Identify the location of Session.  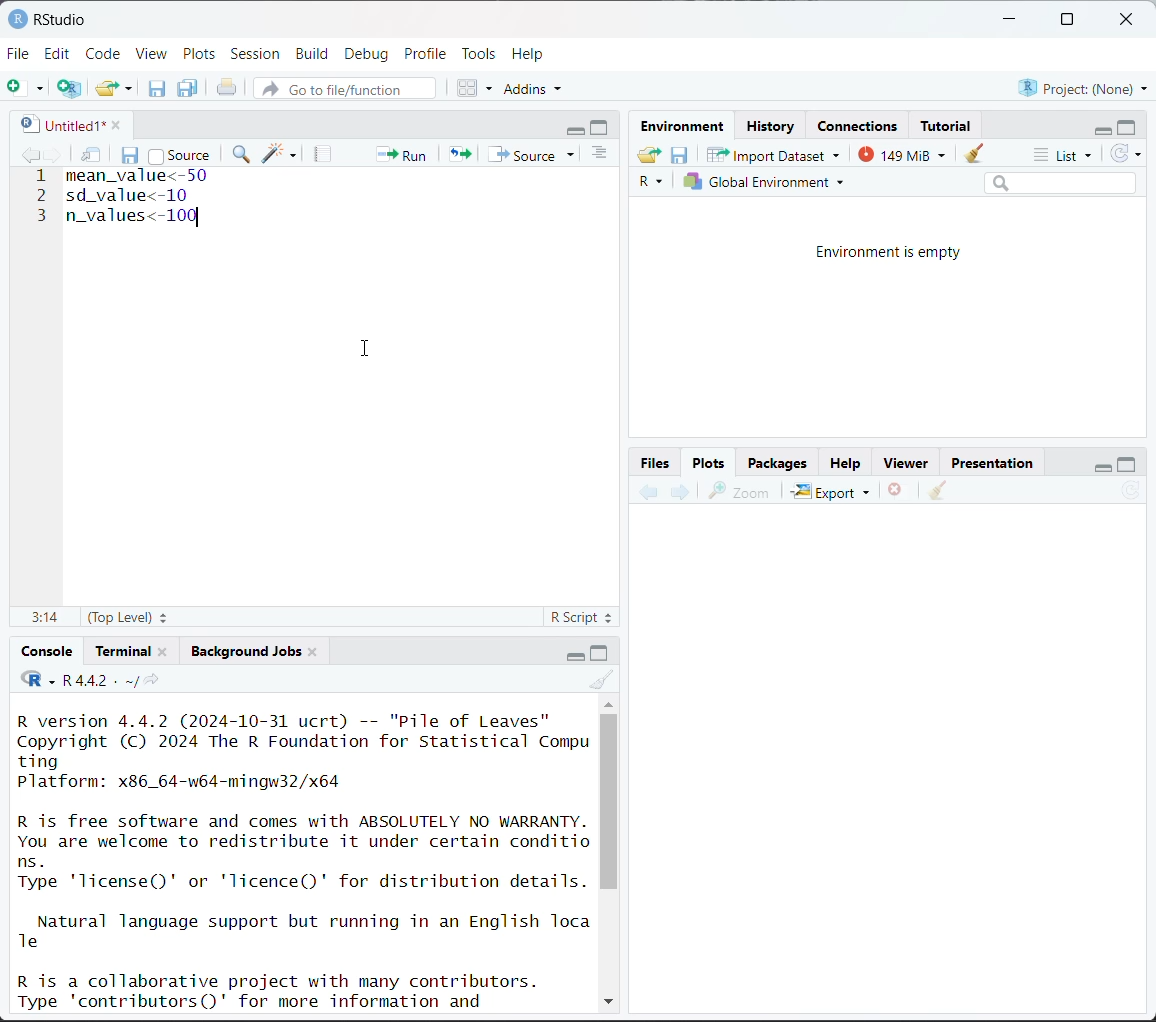
(256, 55).